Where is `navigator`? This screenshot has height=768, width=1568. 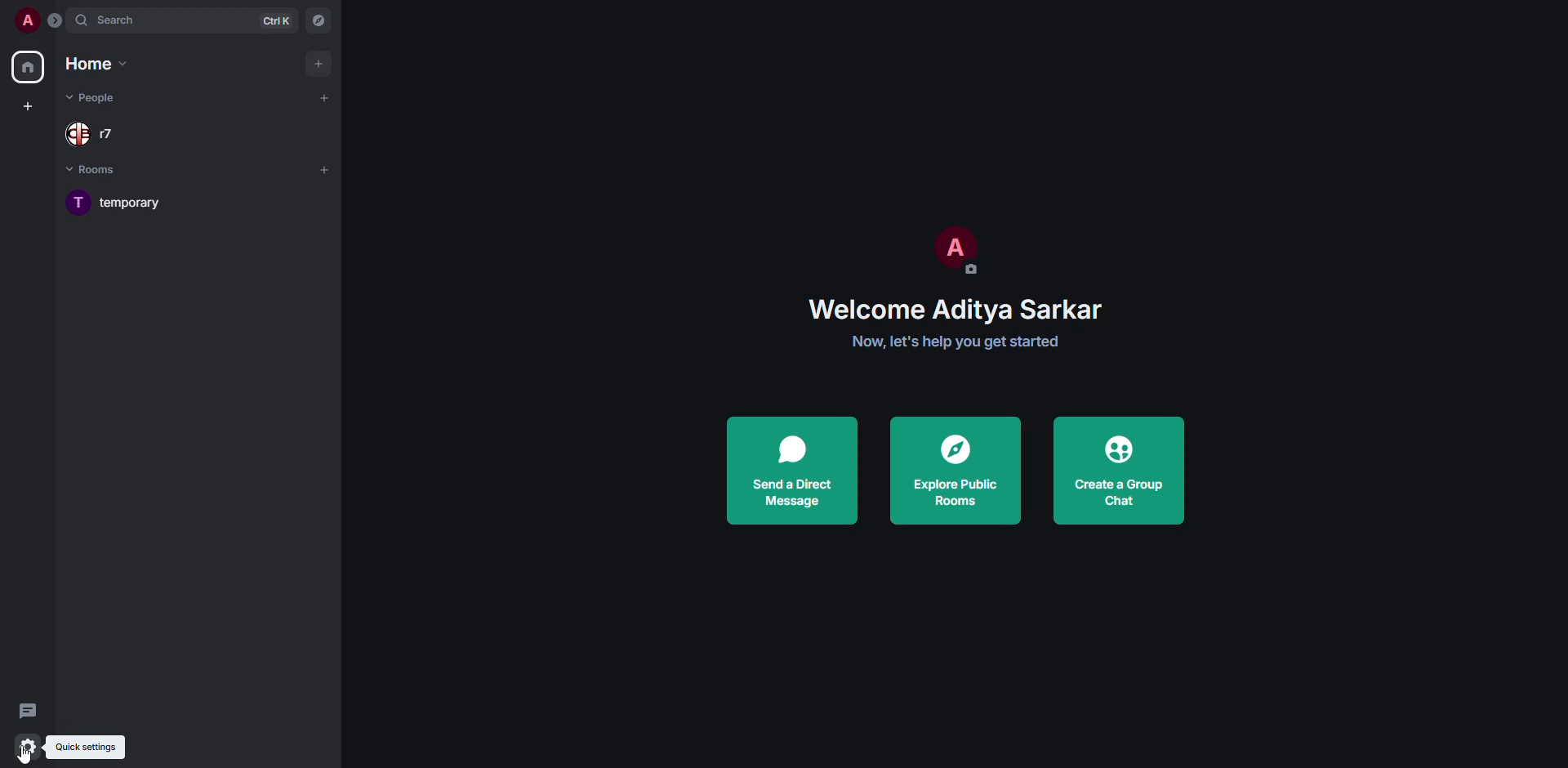 navigator is located at coordinates (317, 20).